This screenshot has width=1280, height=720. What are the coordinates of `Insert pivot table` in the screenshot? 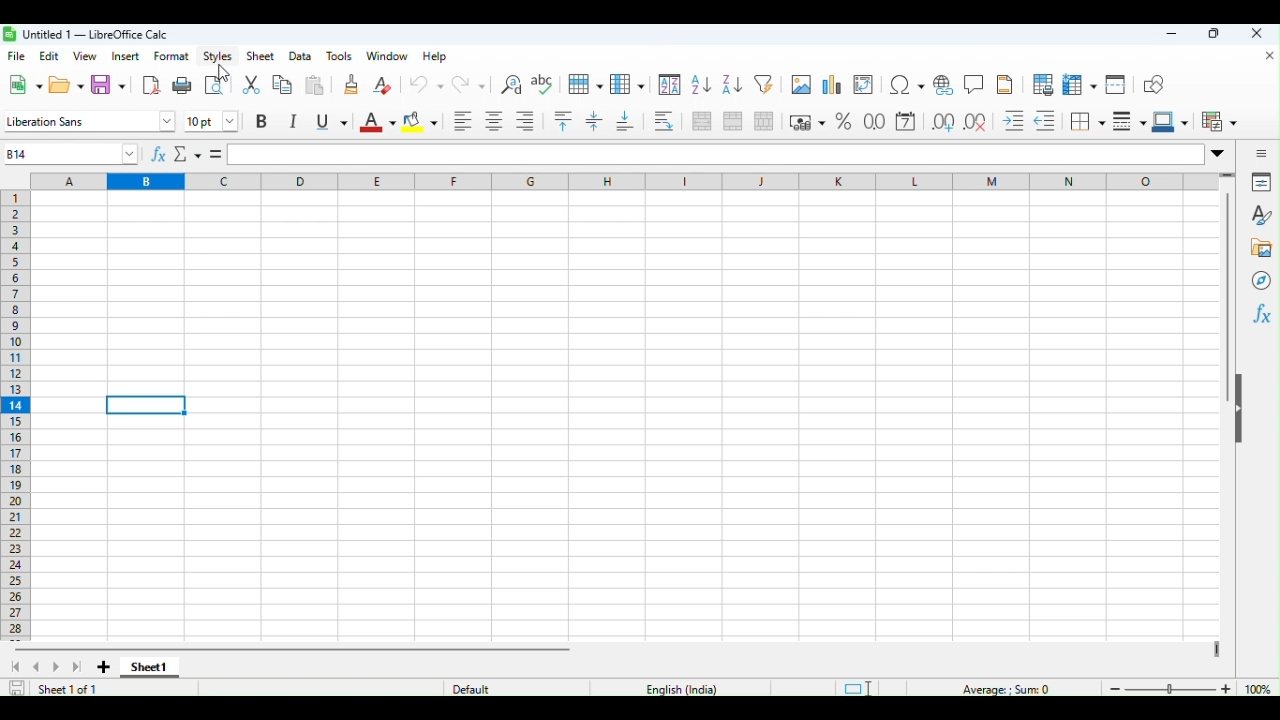 It's located at (866, 85).